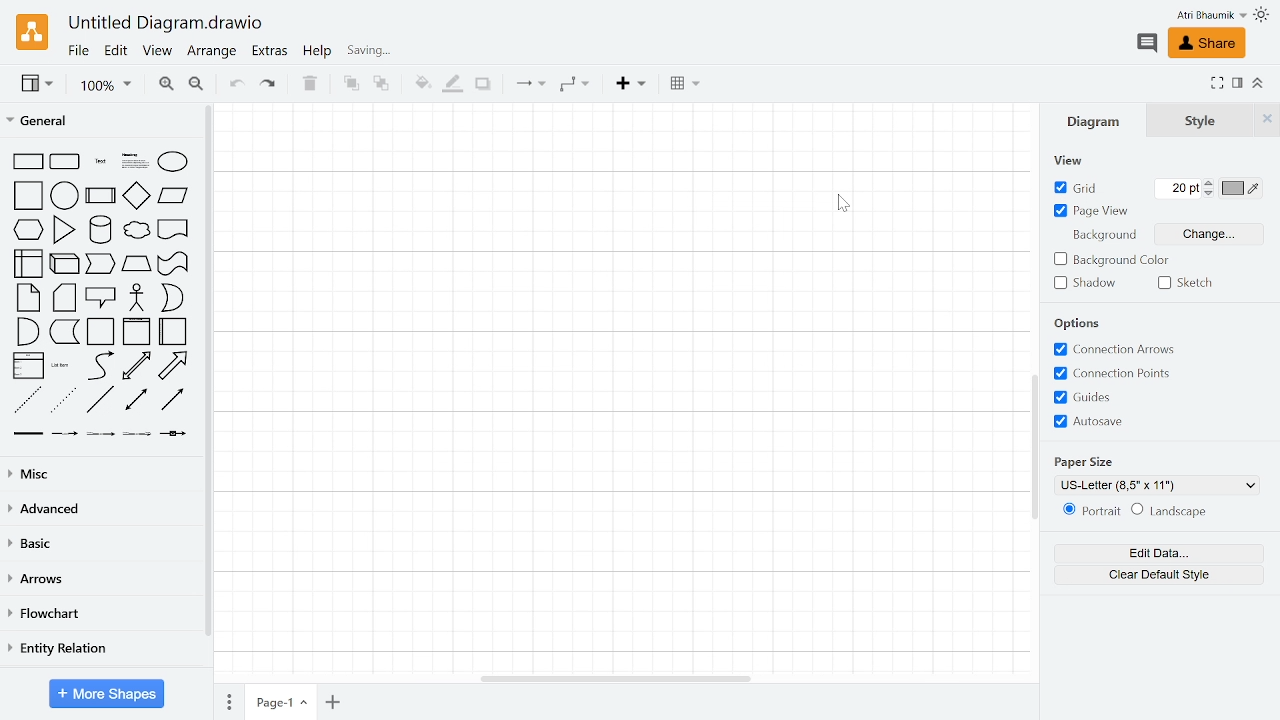  I want to click on Diagram, so click(1090, 122).